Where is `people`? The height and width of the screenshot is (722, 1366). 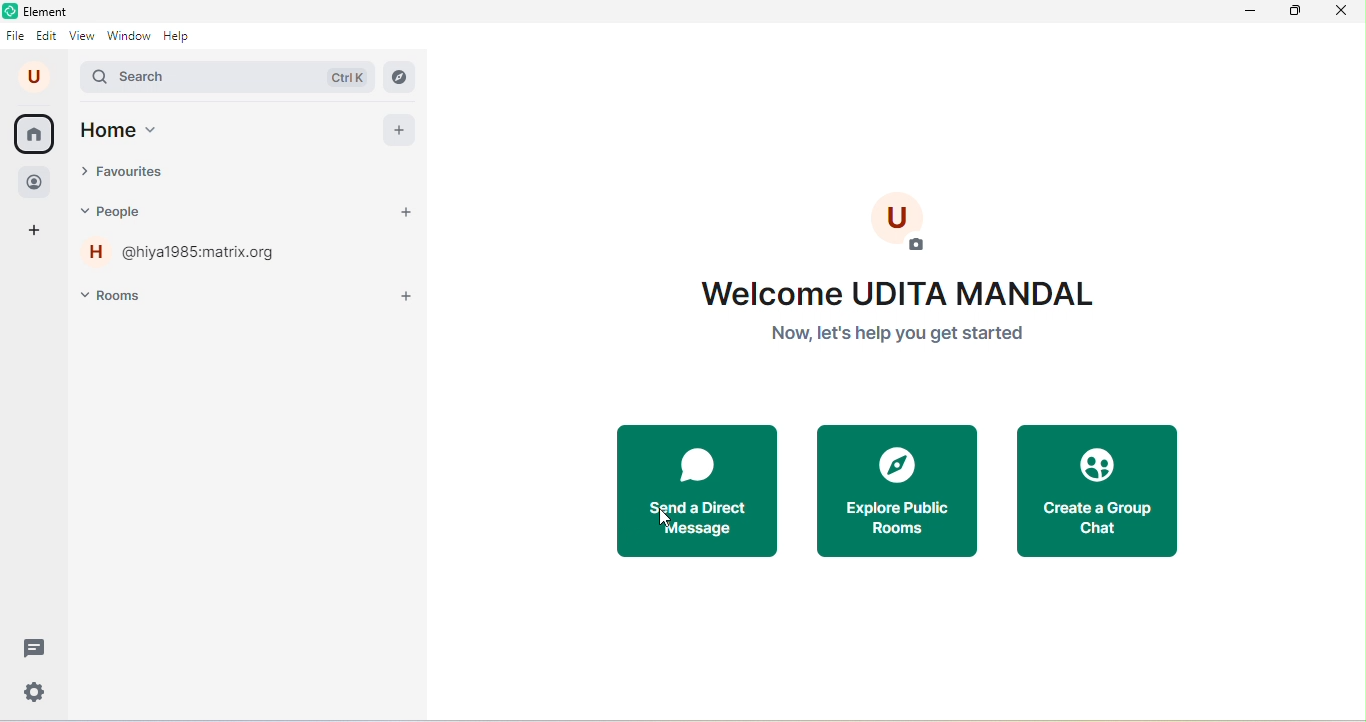
people is located at coordinates (130, 212).